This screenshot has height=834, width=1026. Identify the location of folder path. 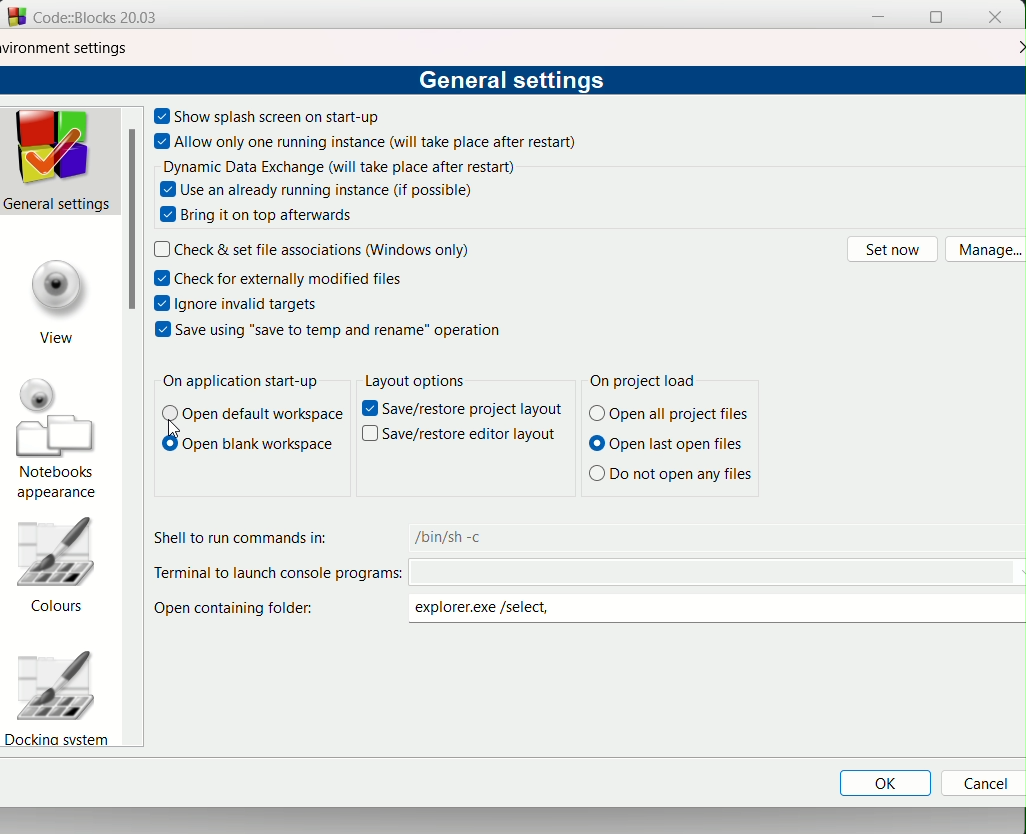
(495, 610).